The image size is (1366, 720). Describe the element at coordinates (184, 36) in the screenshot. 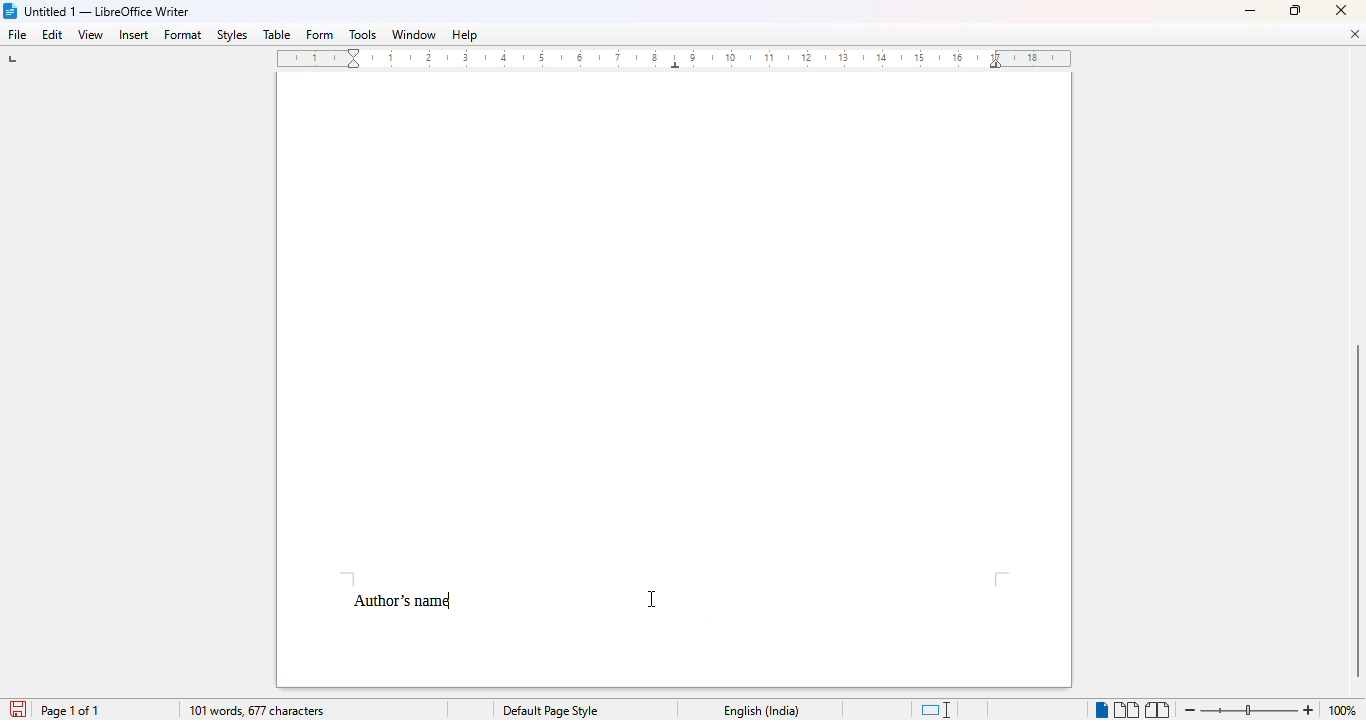

I see `format` at that location.